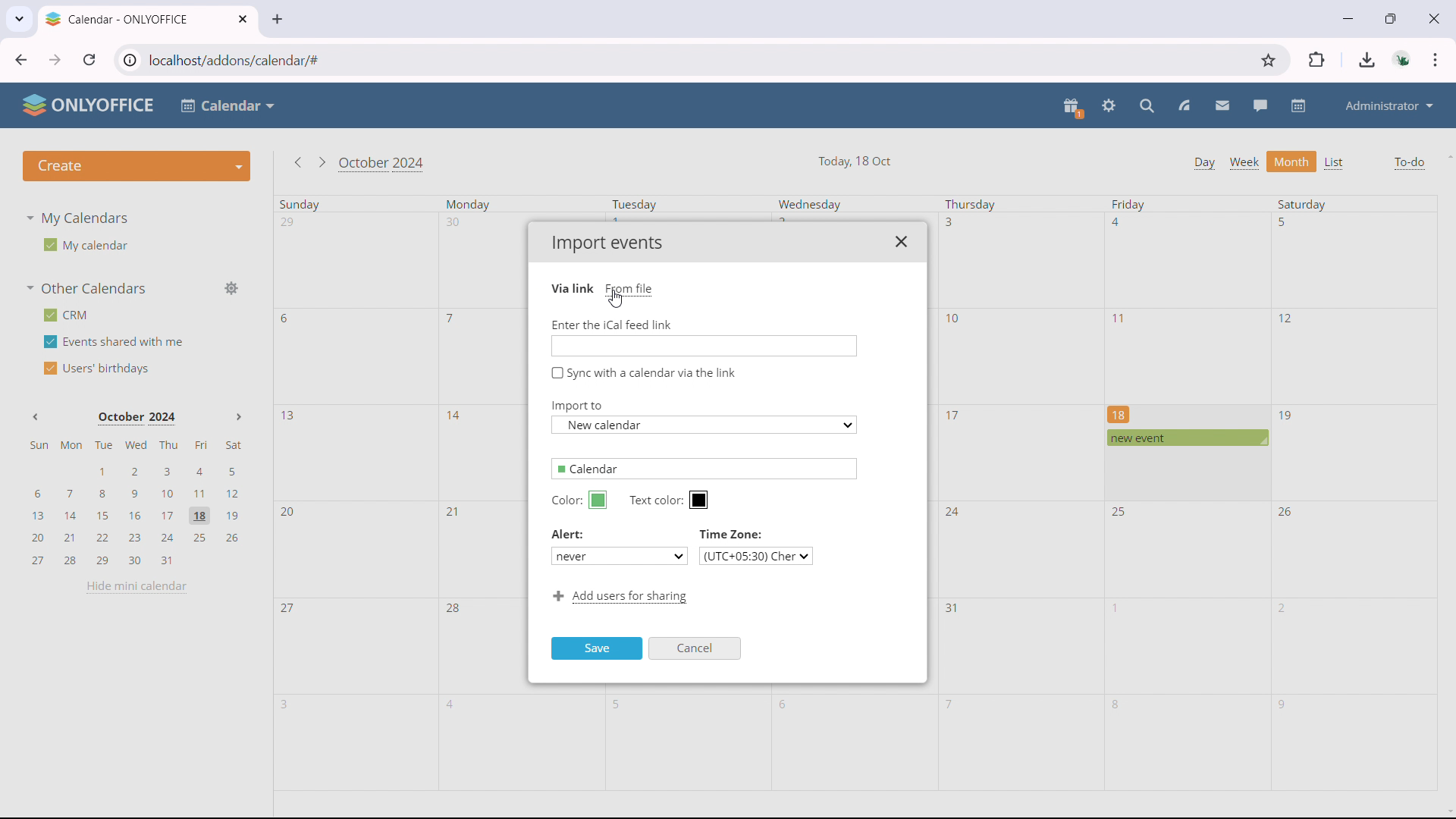 The width and height of the screenshot is (1456, 819). What do you see at coordinates (1122, 318) in the screenshot?
I see `11` at bounding box center [1122, 318].